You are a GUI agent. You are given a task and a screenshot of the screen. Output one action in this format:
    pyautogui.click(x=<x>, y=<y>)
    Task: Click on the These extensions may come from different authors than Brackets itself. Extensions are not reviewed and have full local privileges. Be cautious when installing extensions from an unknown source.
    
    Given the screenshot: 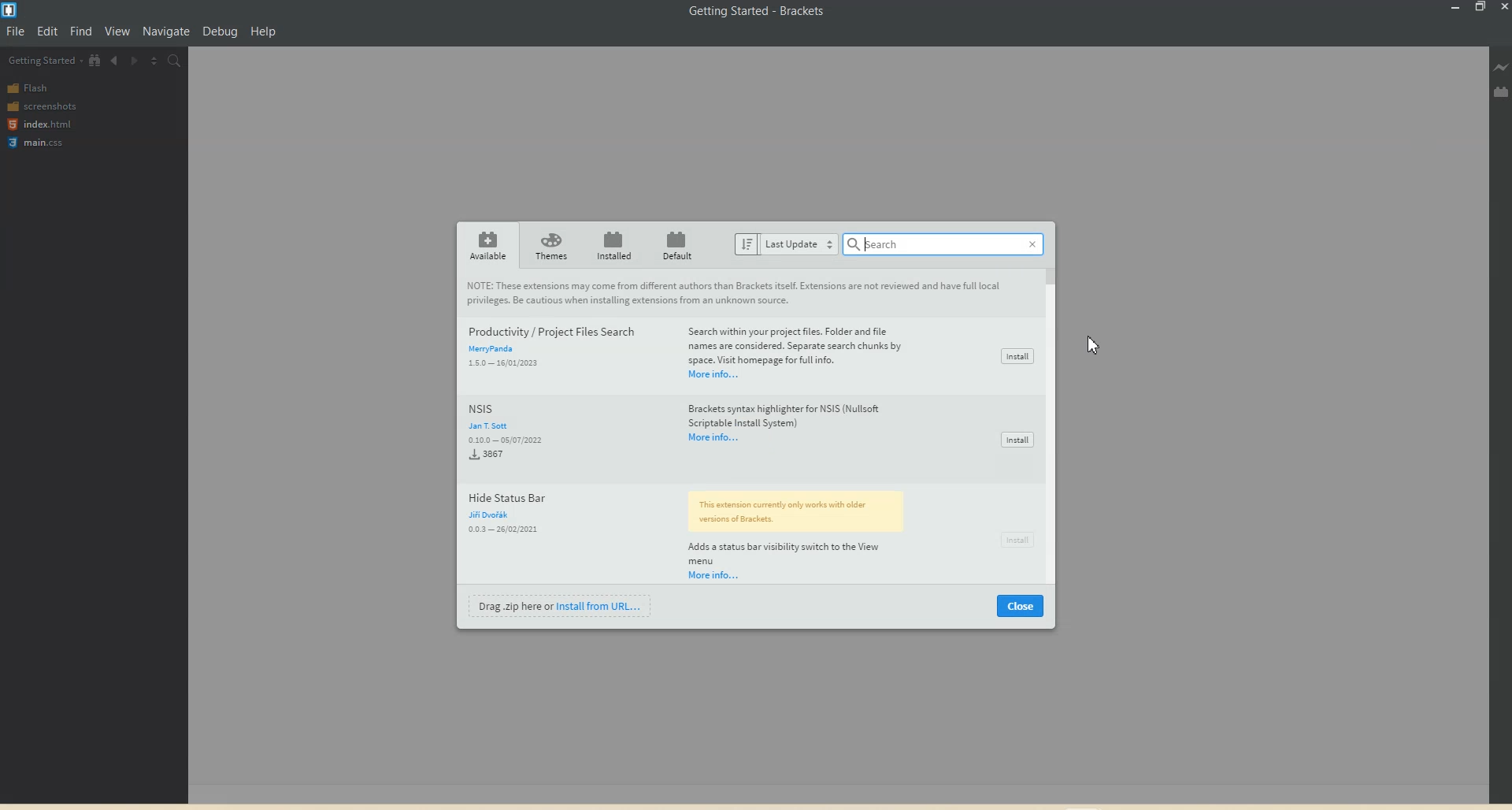 What is the action you would take?
    pyautogui.click(x=740, y=294)
    